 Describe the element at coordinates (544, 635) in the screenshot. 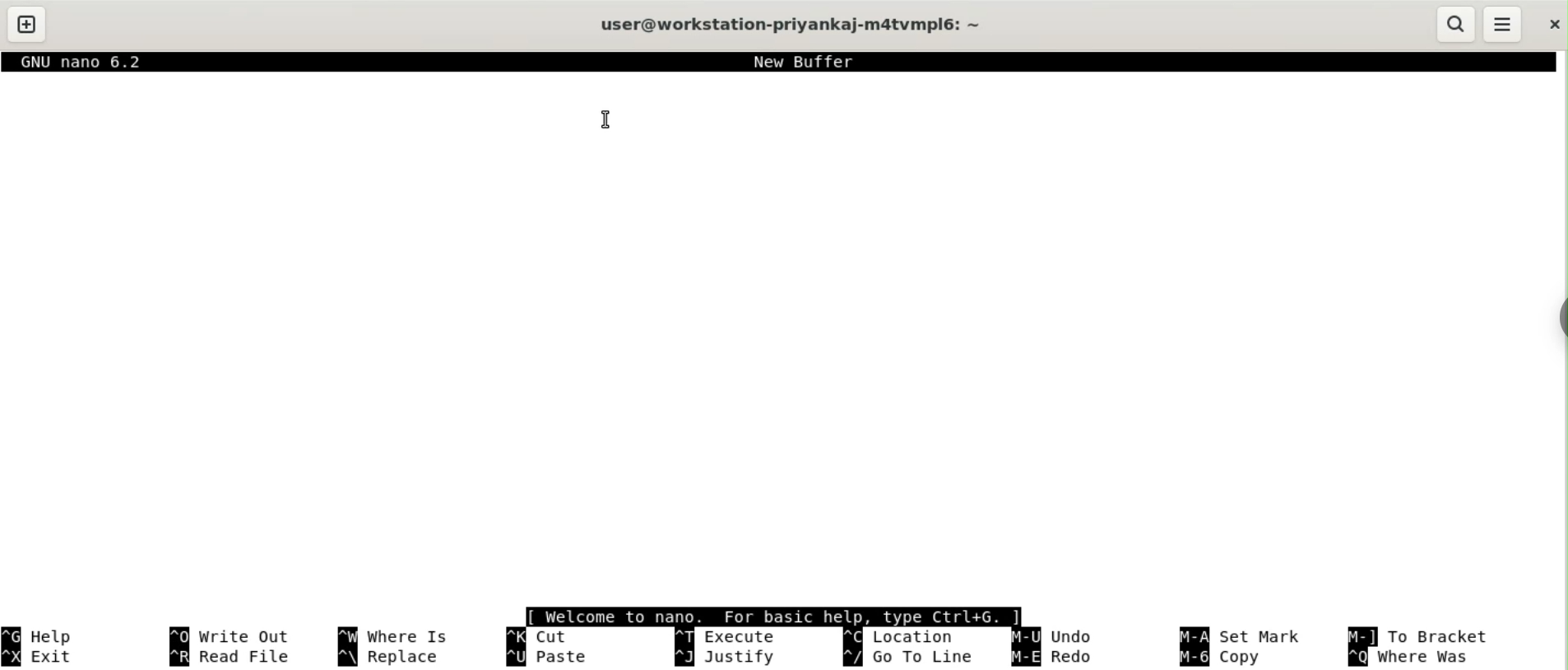

I see `cut` at that location.